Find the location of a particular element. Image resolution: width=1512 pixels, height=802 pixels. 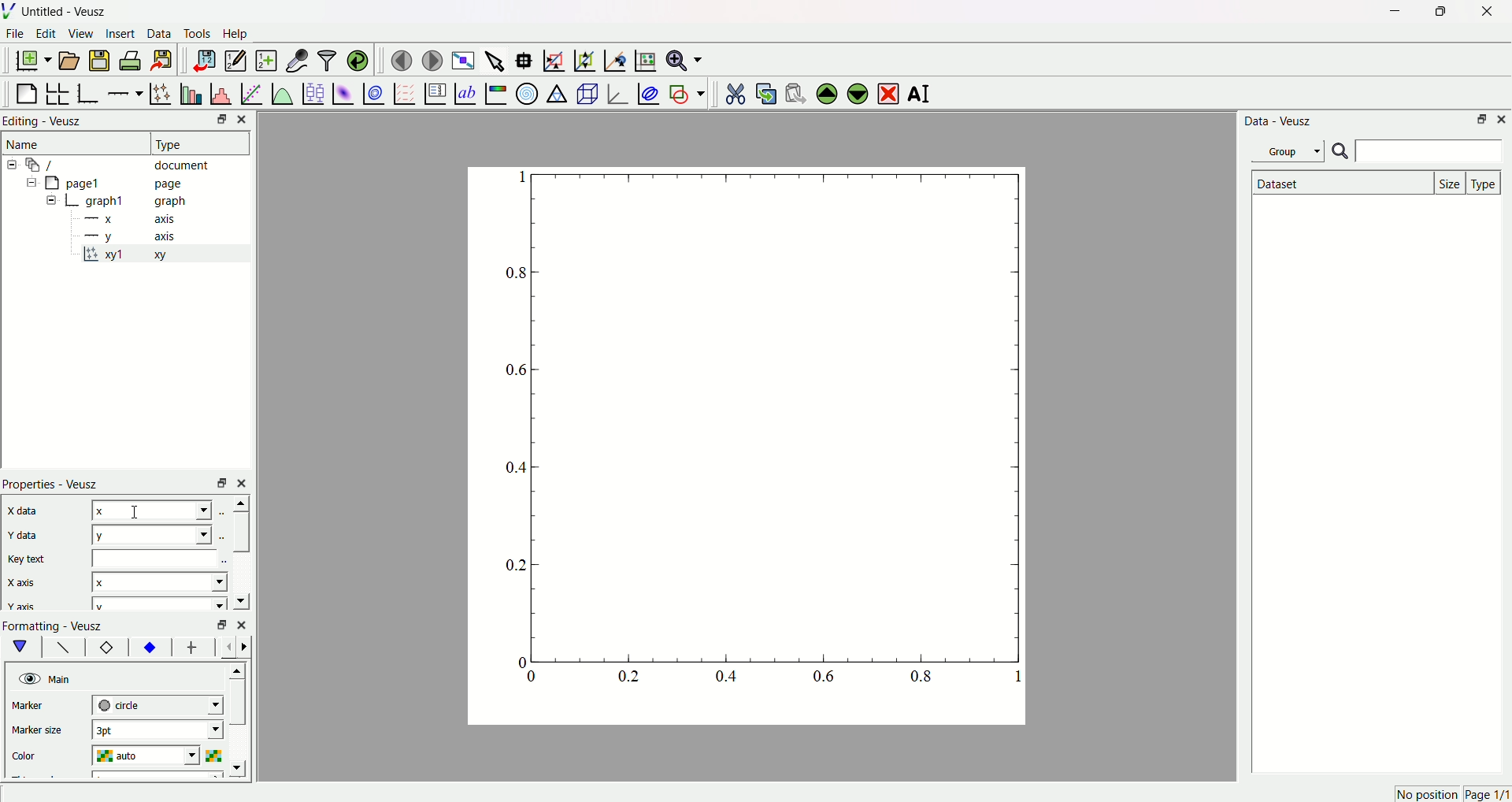

y axis is located at coordinates (135, 236).